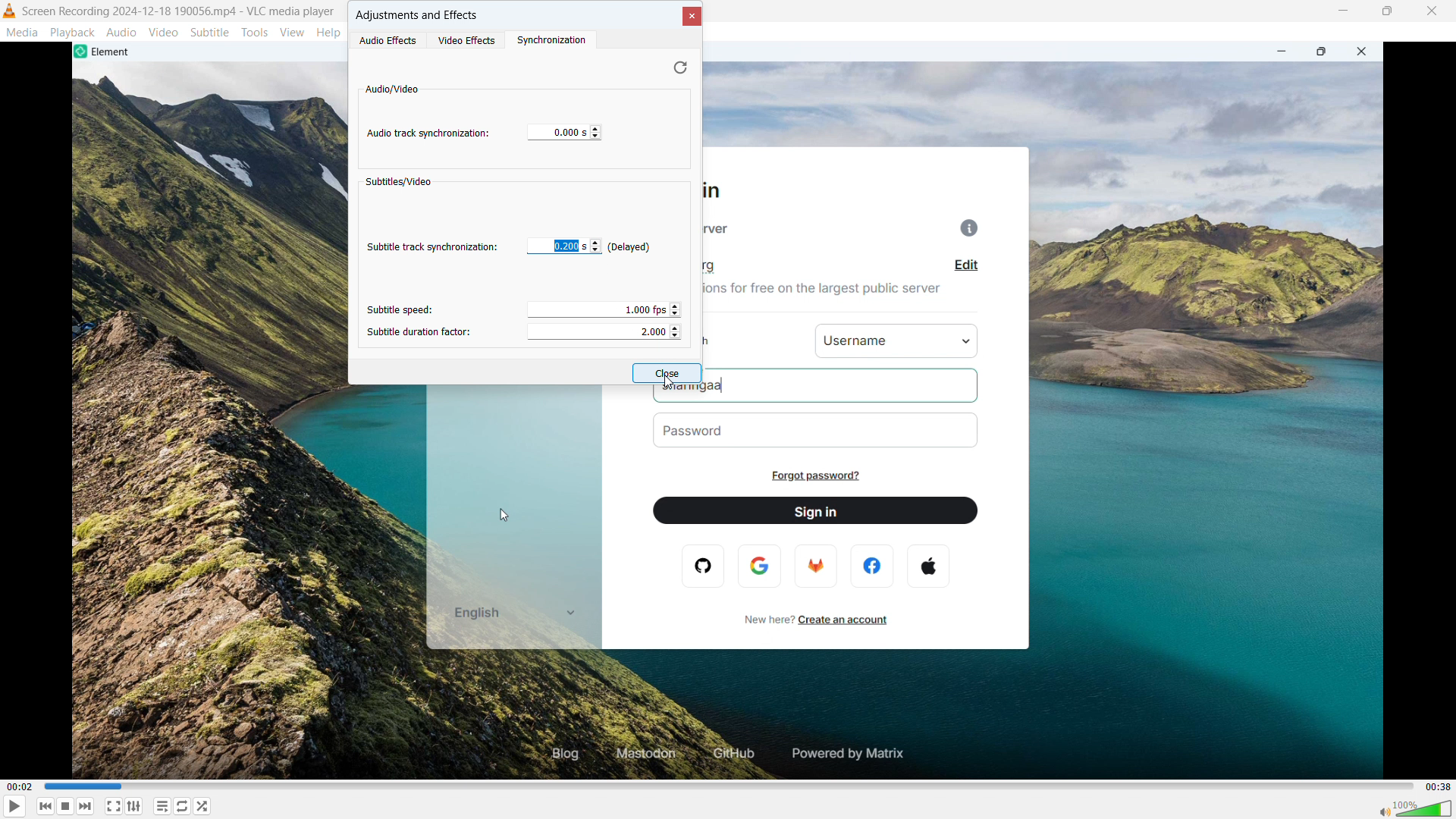  What do you see at coordinates (1432, 11) in the screenshot?
I see `close` at bounding box center [1432, 11].